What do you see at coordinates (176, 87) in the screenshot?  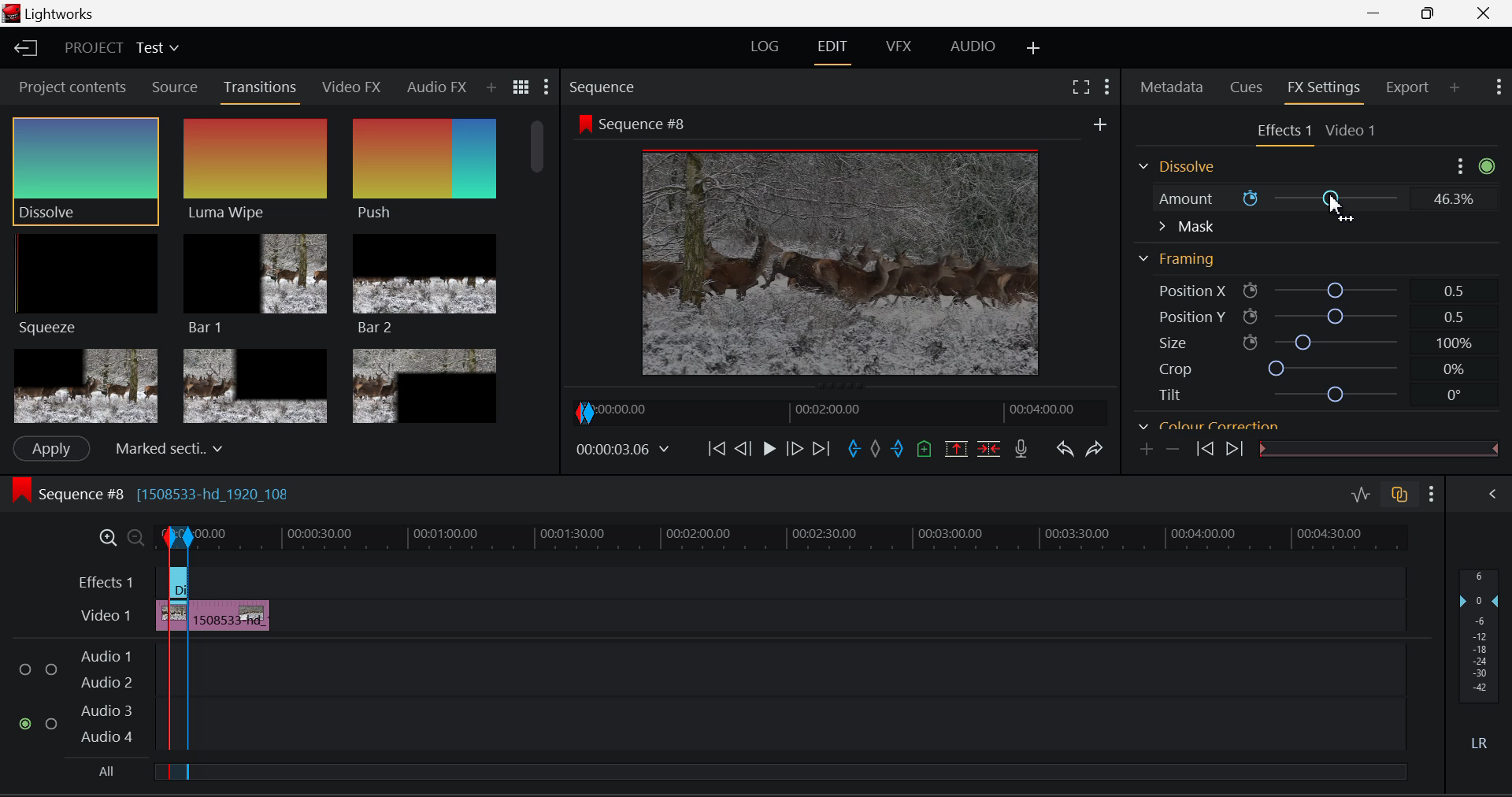 I see `Source` at bounding box center [176, 87].